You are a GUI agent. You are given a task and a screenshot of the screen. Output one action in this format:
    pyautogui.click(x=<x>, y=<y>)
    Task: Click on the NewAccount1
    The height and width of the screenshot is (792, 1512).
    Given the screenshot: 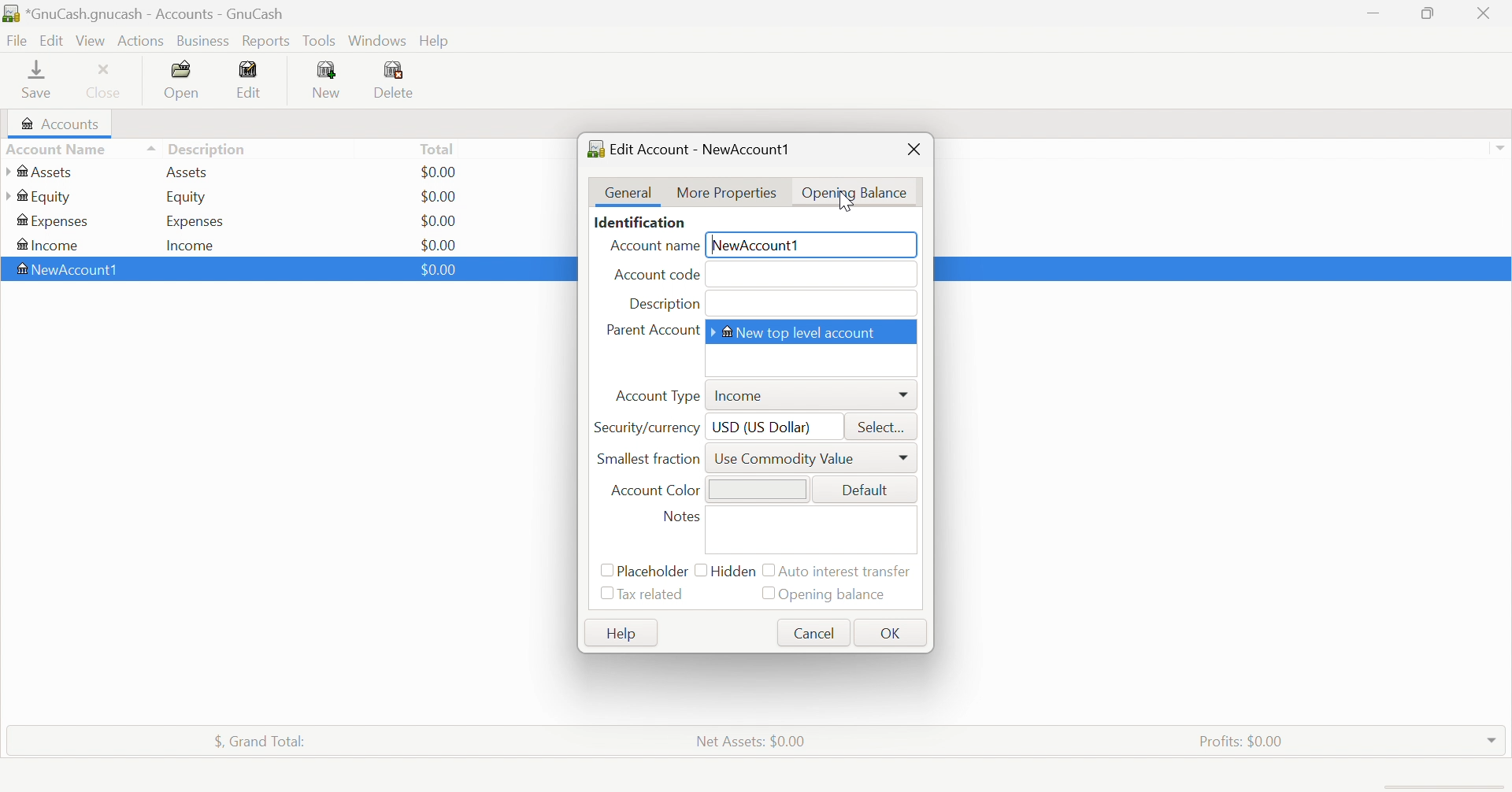 What is the action you would take?
    pyautogui.click(x=72, y=269)
    